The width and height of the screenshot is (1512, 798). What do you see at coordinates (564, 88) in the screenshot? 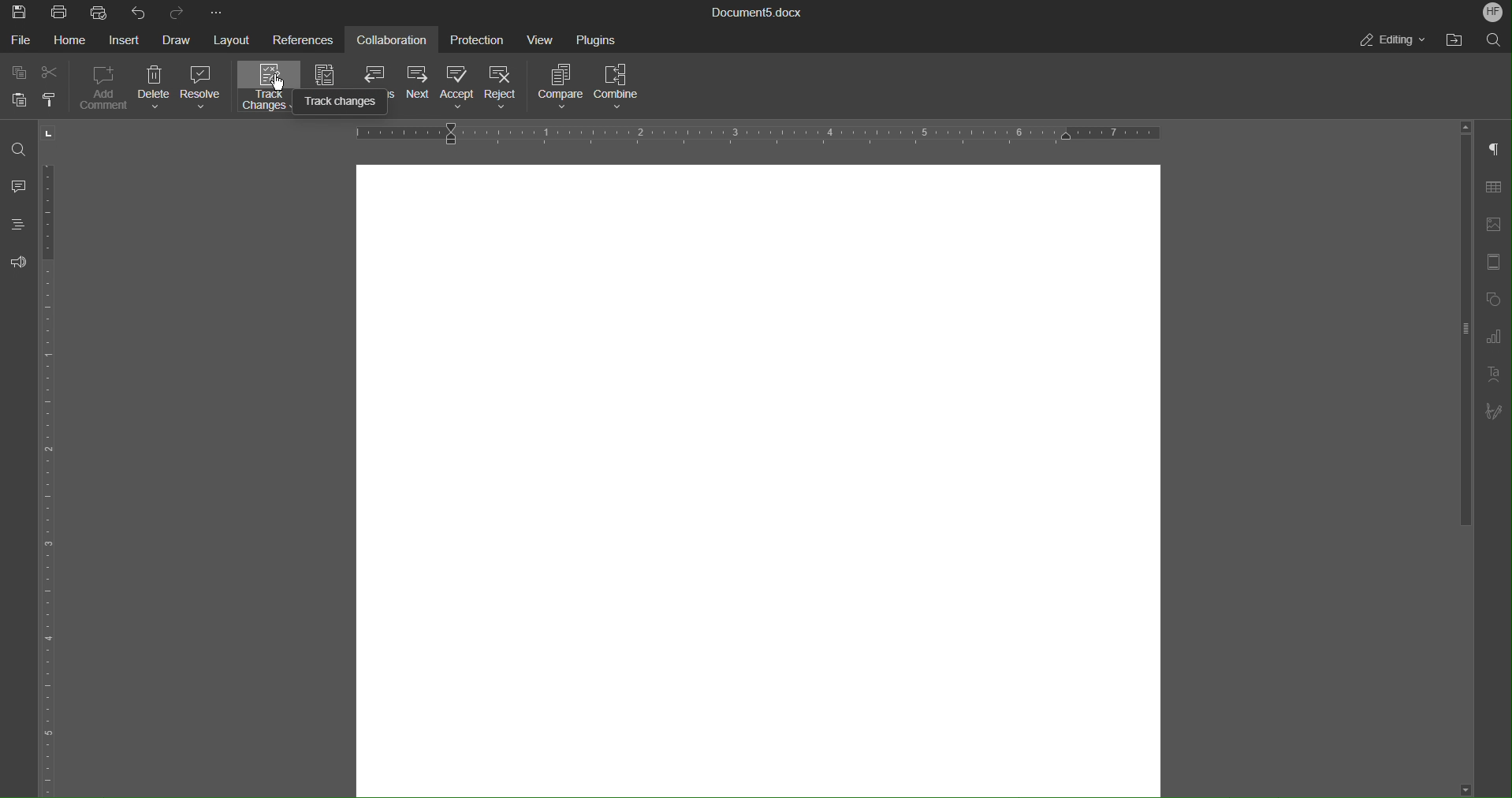
I see `Compare` at bounding box center [564, 88].